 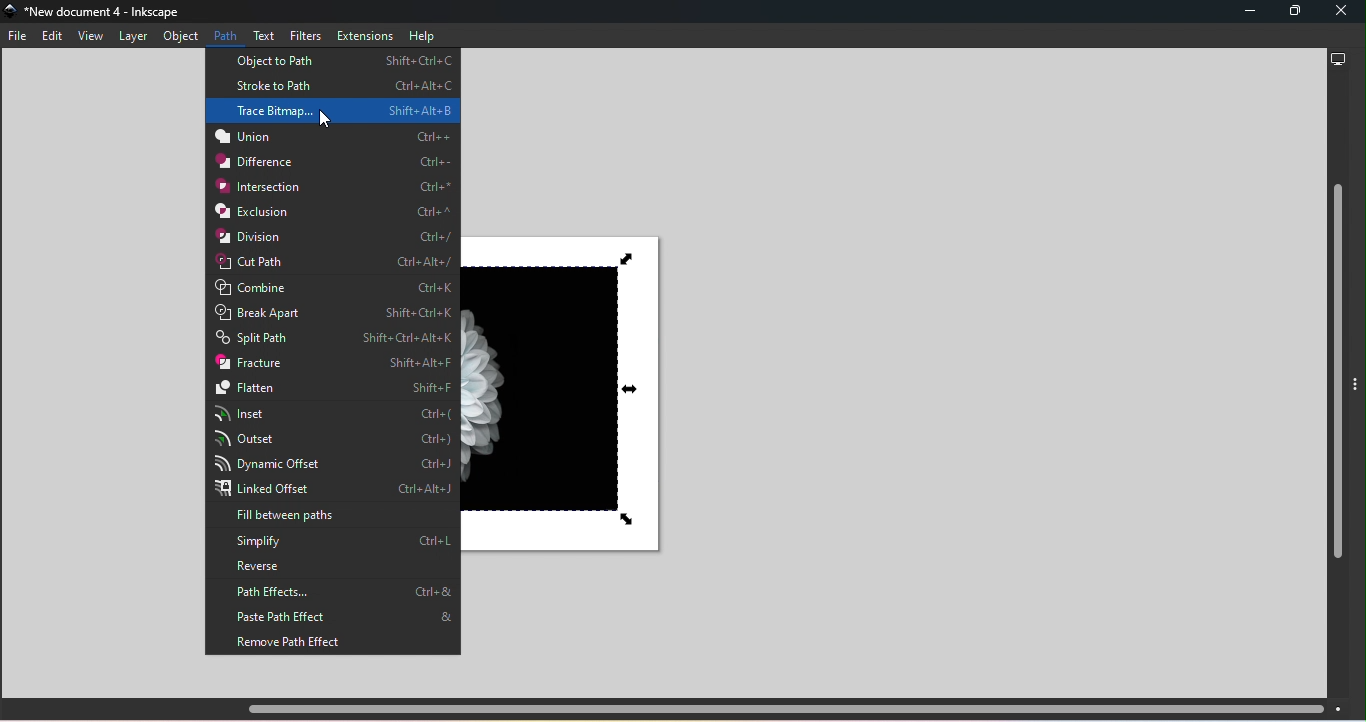 What do you see at coordinates (333, 488) in the screenshot?
I see `Linked offset` at bounding box center [333, 488].